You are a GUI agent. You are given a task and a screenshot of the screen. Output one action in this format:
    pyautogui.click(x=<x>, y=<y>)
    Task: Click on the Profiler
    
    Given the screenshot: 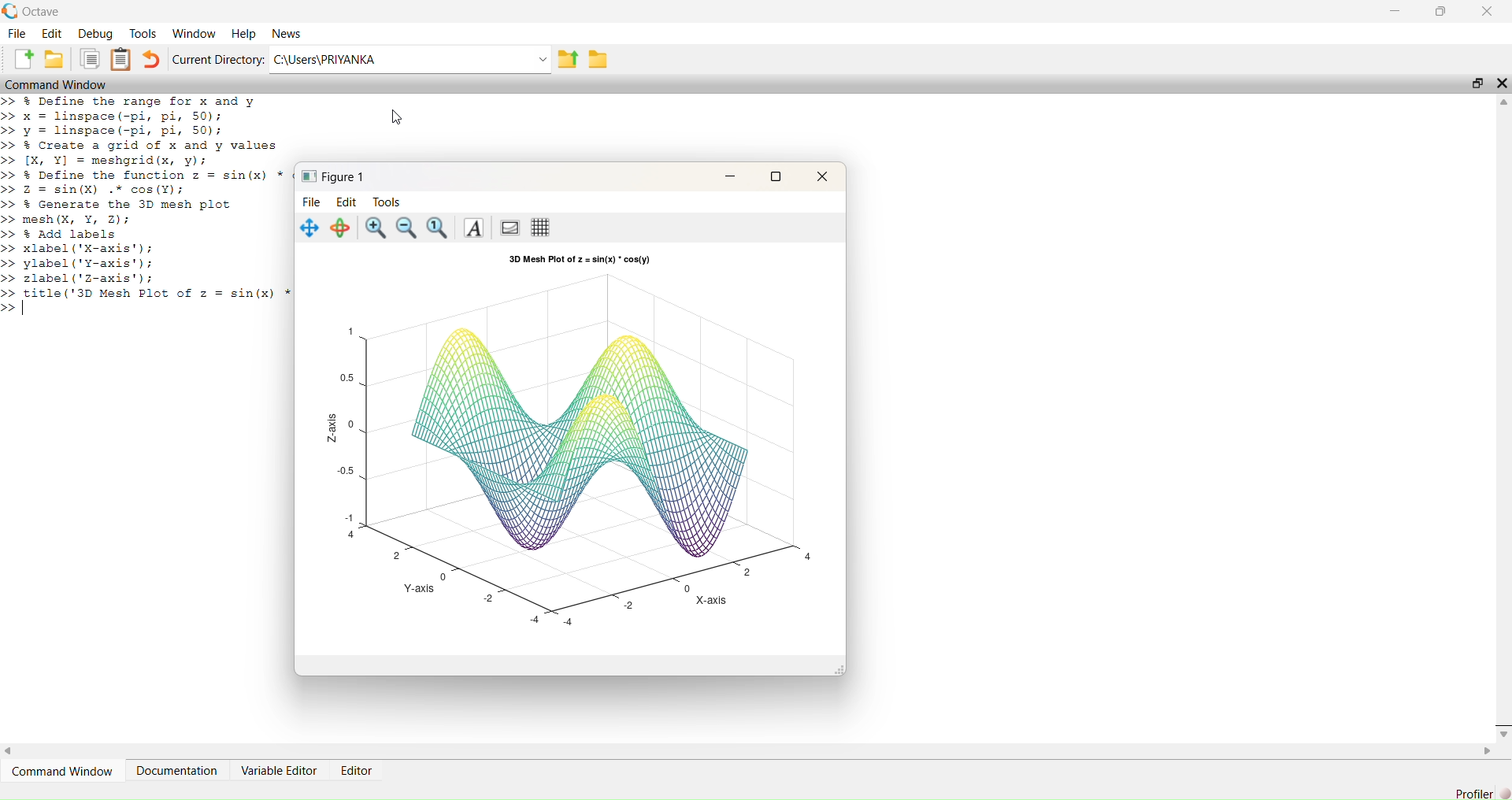 What is the action you would take?
    pyautogui.click(x=1478, y=791)
    